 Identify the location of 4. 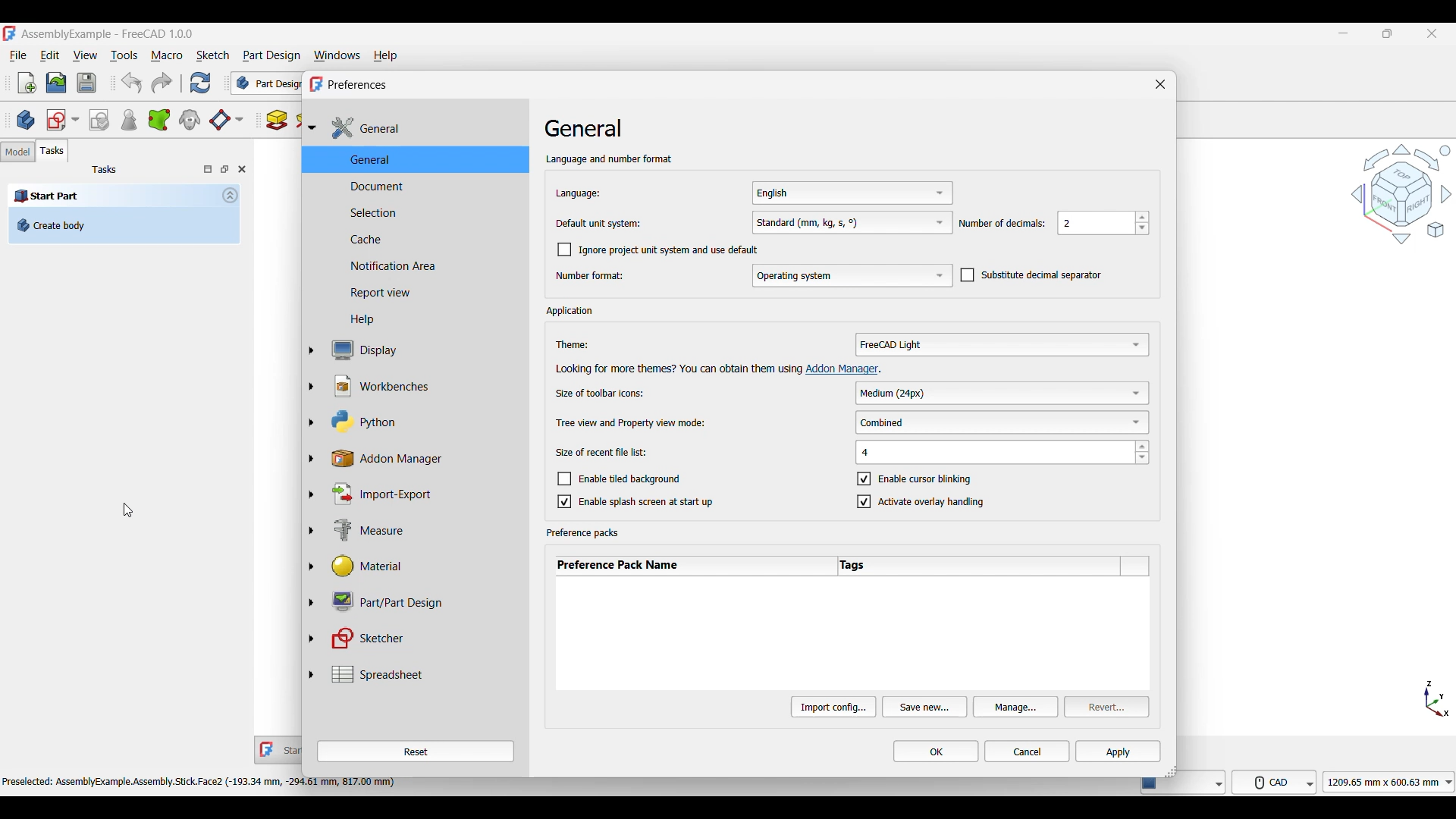
(1003, 453).